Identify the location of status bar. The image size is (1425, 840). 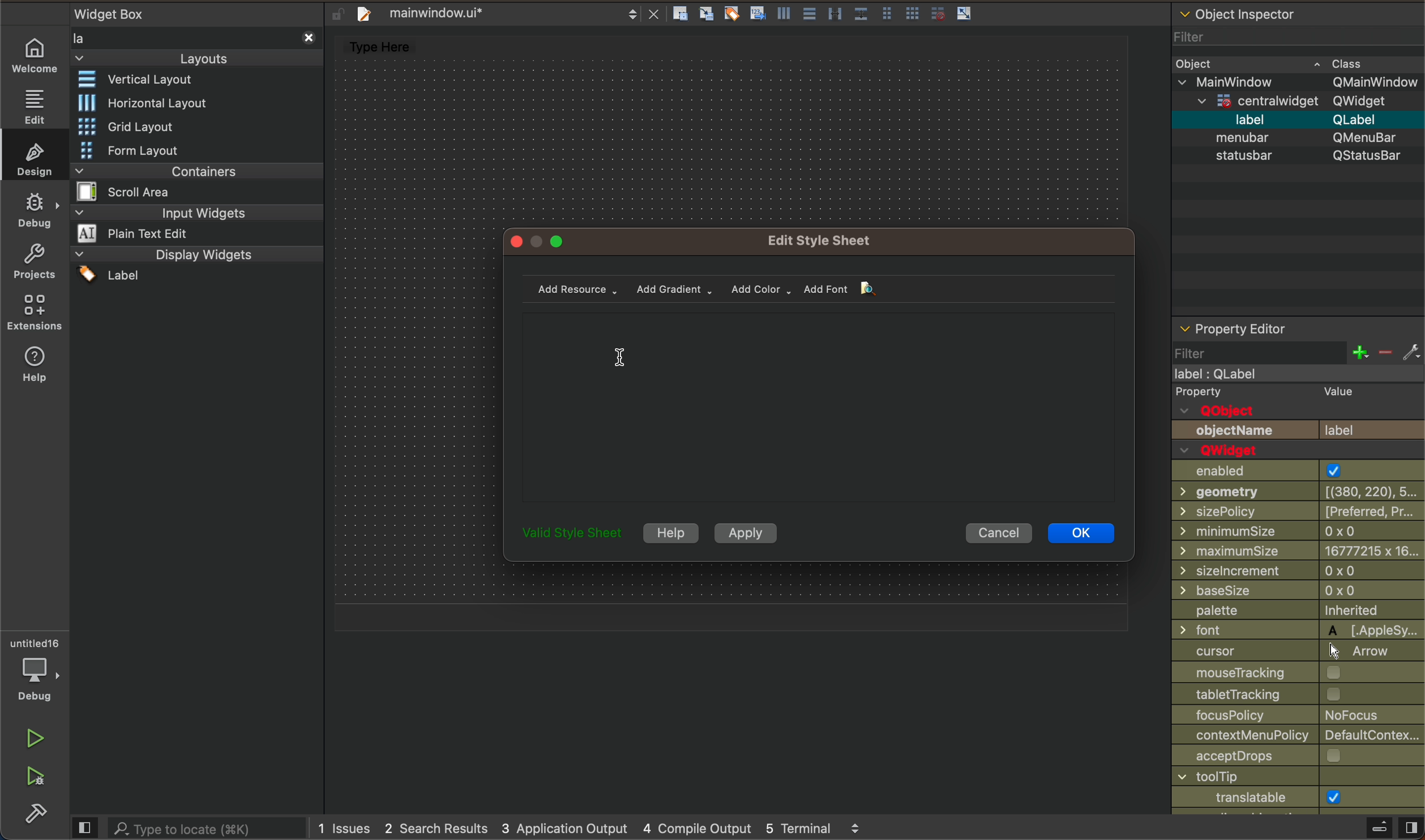
(1301, 161).